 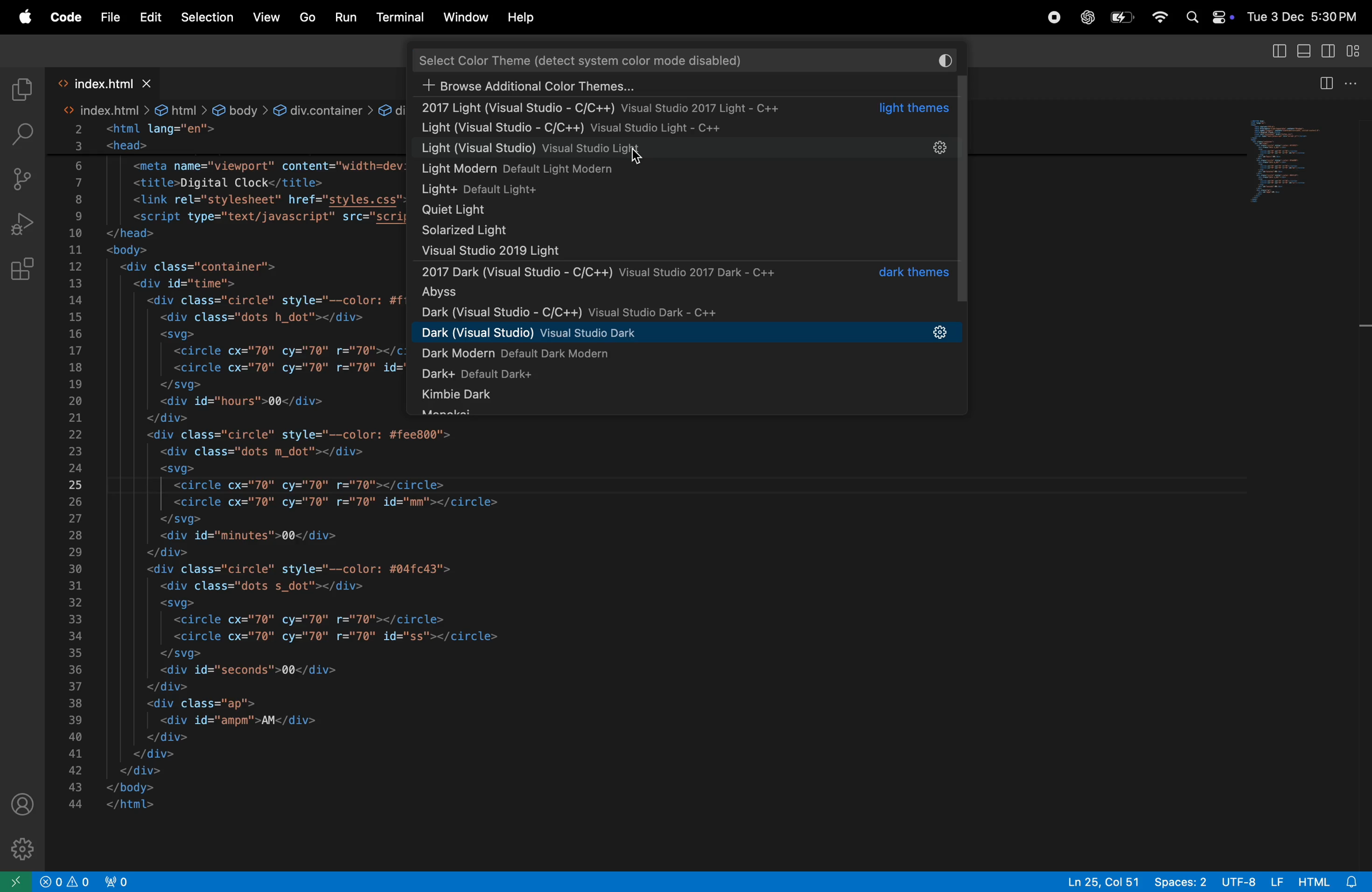 I want to click on dark +, so click(x=513, y=375).